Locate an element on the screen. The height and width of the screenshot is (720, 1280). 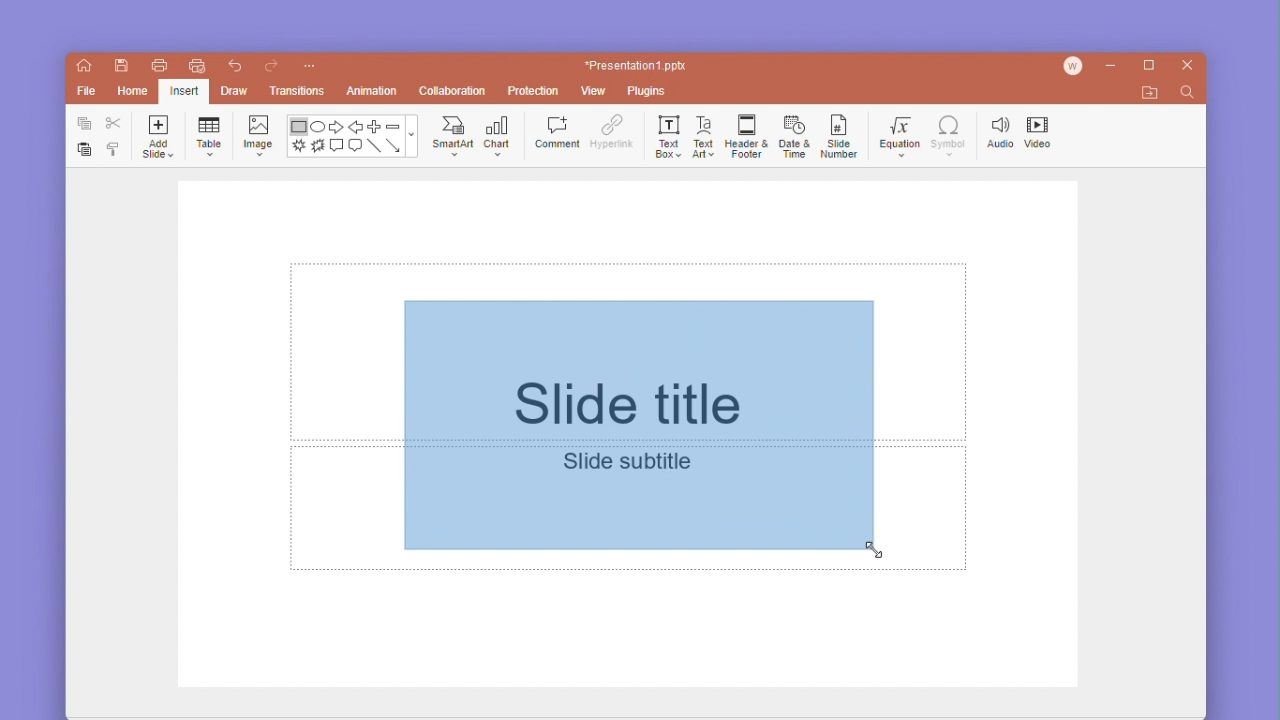
cut is located at coordinates (110, 125).